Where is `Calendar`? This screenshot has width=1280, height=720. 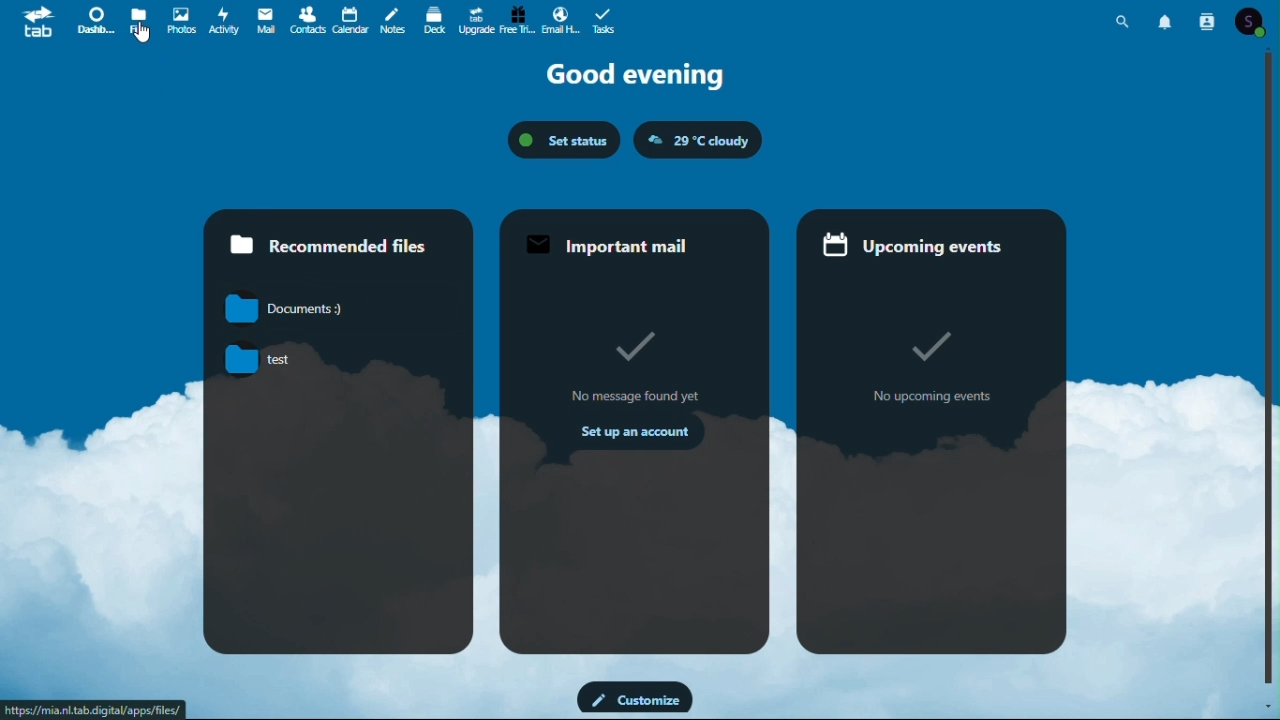 Calendar is located at coordinates (353, 21).